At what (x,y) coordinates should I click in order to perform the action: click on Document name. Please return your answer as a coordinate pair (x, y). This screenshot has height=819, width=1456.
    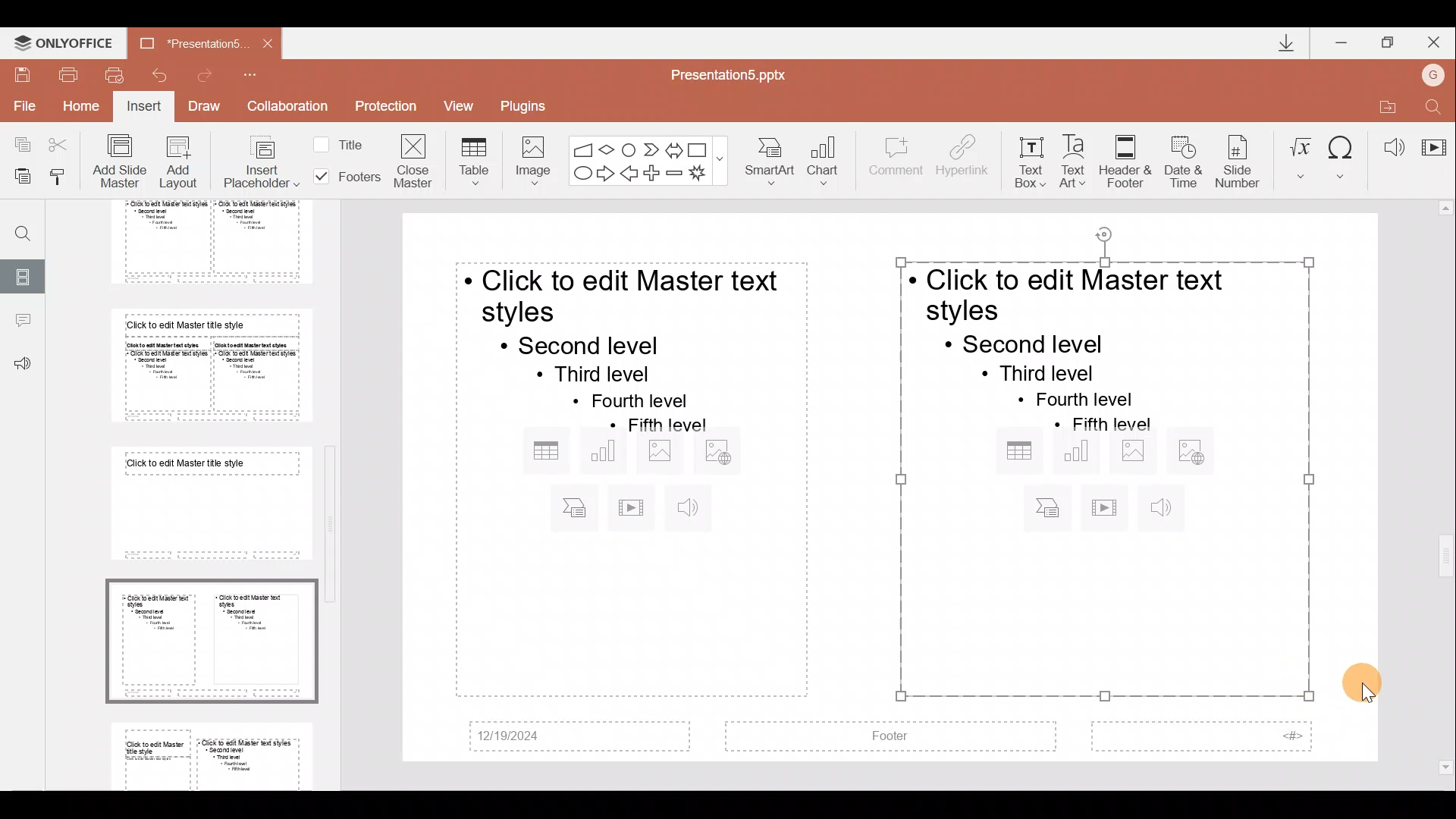
    Looking at the image, I should click on (737, 74).